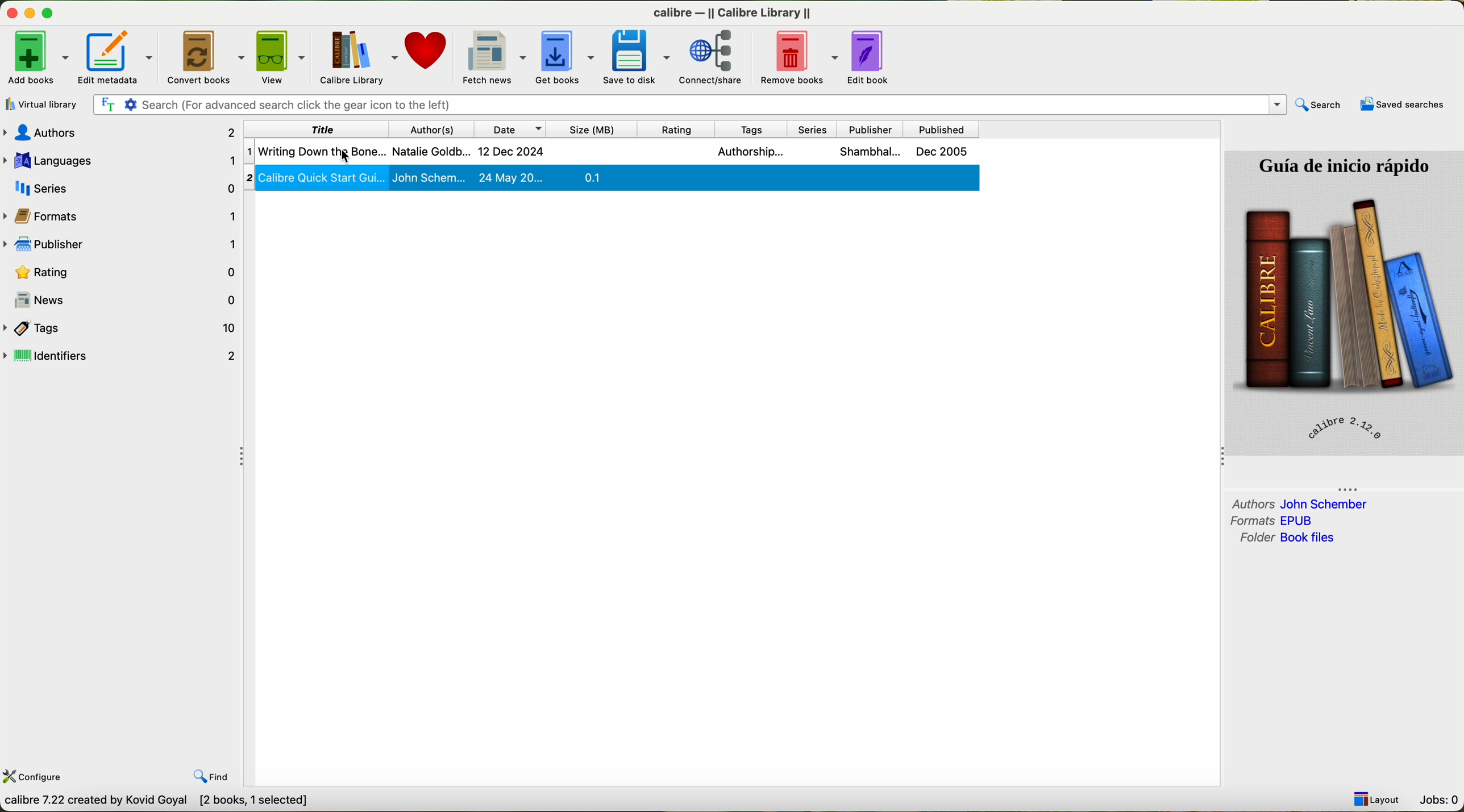 The image size is (1464, 812). Describe the element at coordinates (593, 129) in the screenshot. I see `size` at that location.